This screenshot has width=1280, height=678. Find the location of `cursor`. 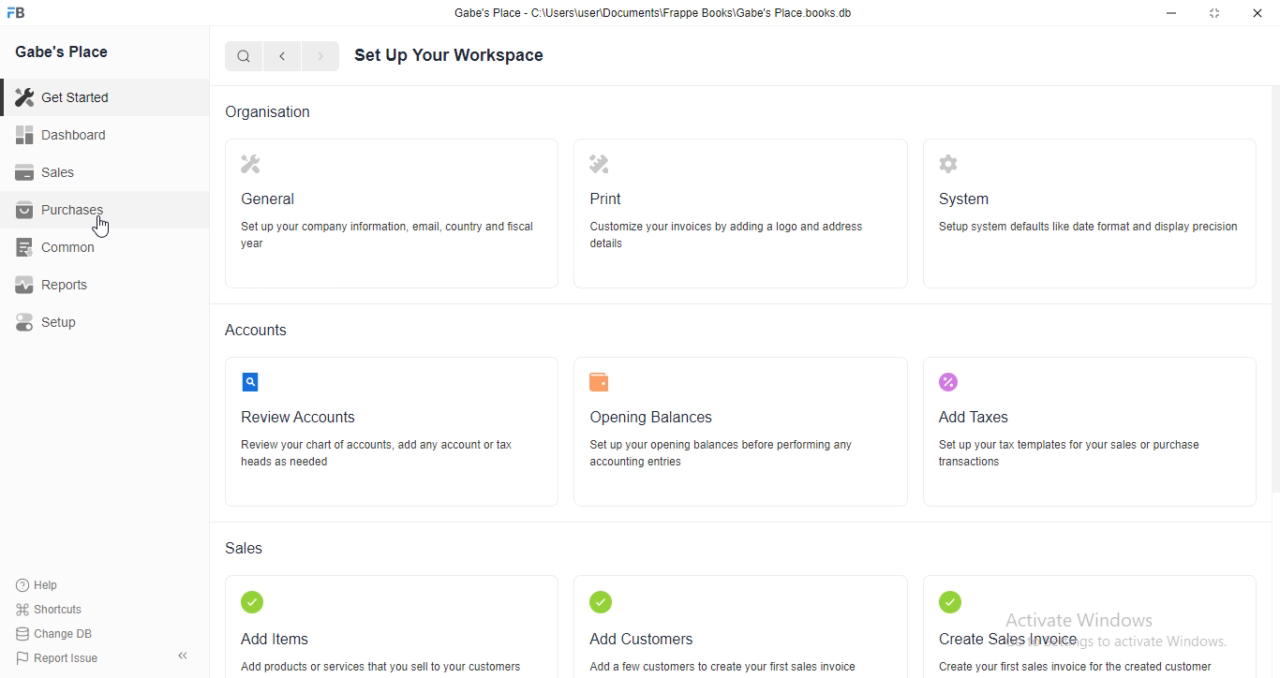

cursor is located at coordinates (106, 227).